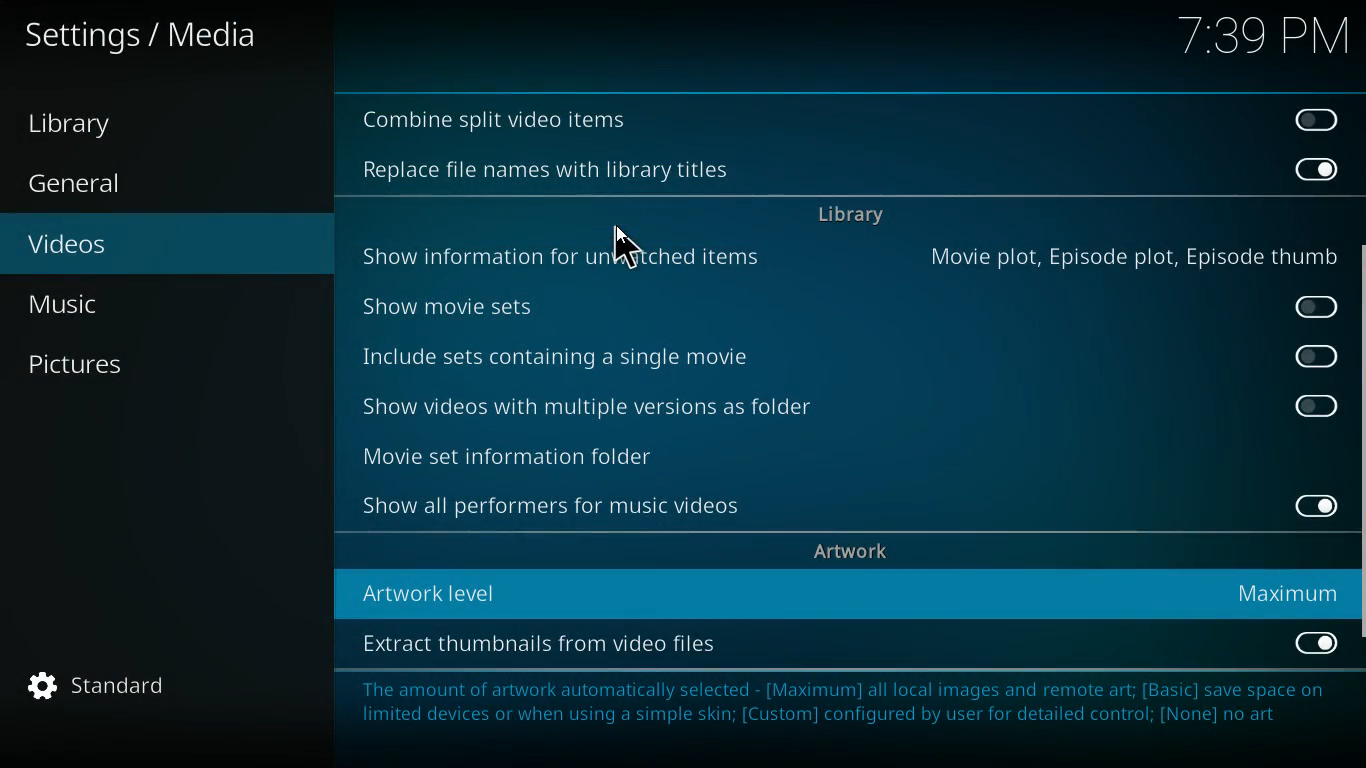 This screenshot has height=768, width=1366. I want to click on Replace file names with library titles, so click(546, 171).